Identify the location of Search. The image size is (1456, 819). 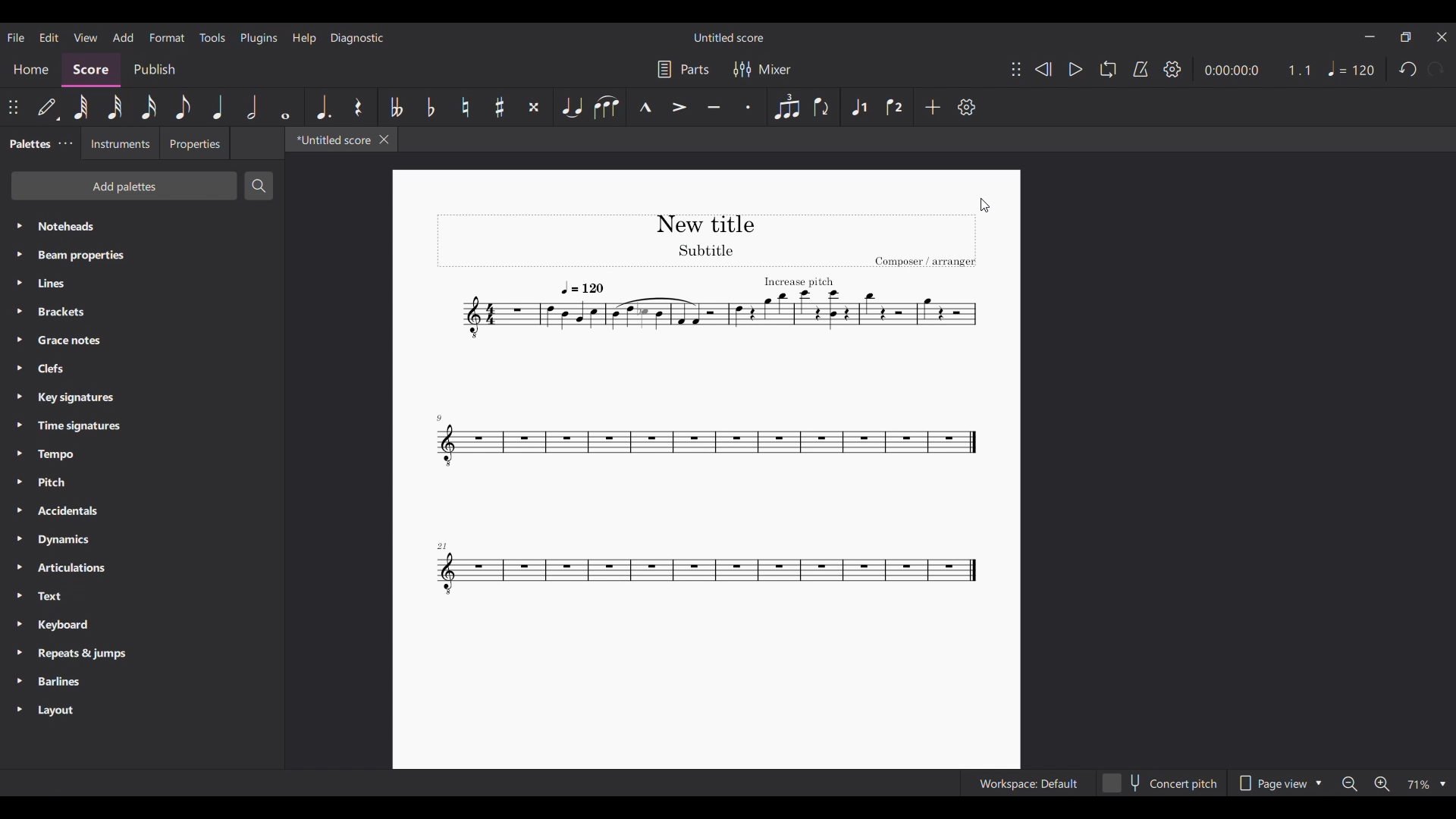
(259, 186).